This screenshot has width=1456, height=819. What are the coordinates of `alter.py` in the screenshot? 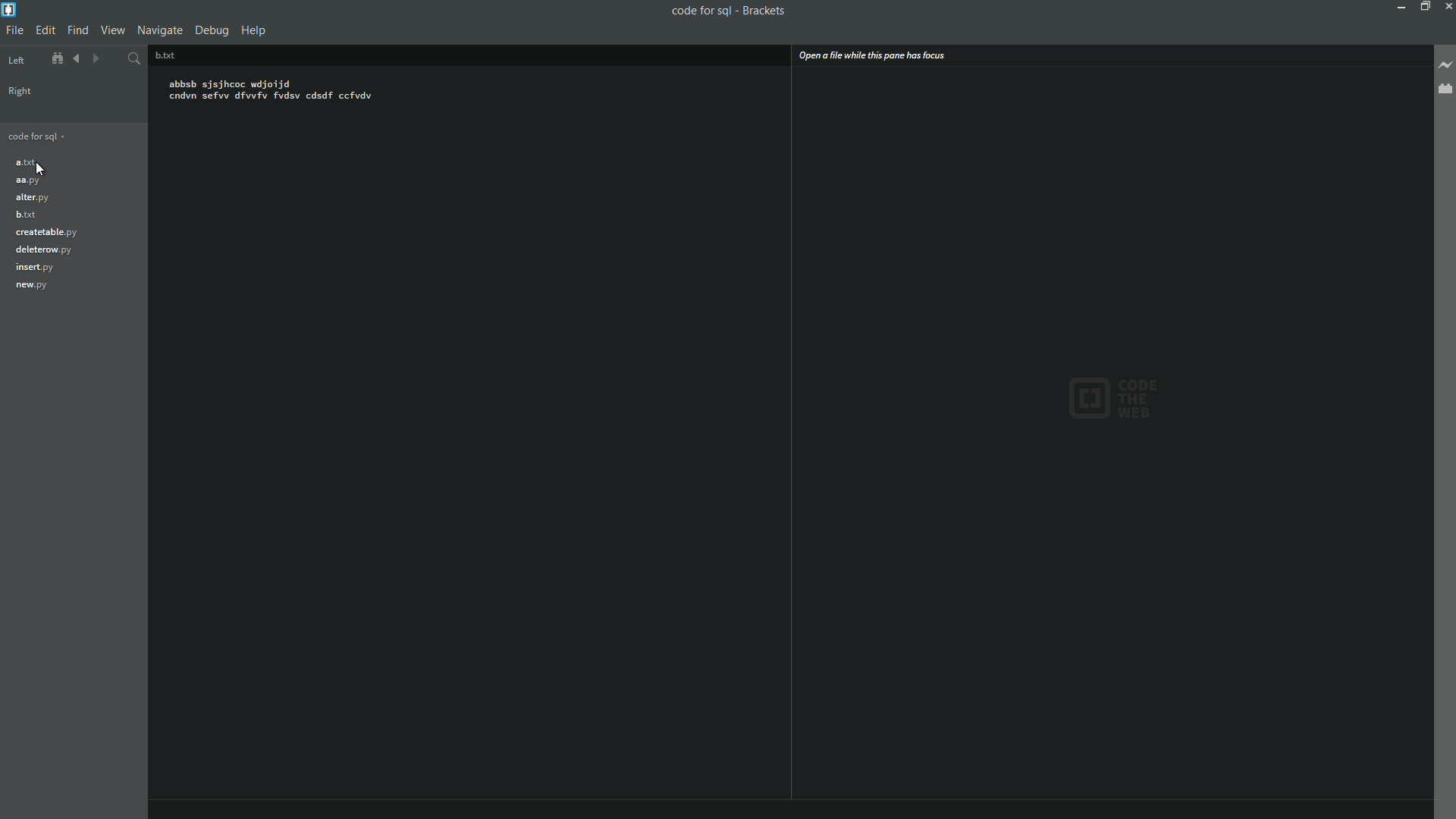 It's located at (32, 196).